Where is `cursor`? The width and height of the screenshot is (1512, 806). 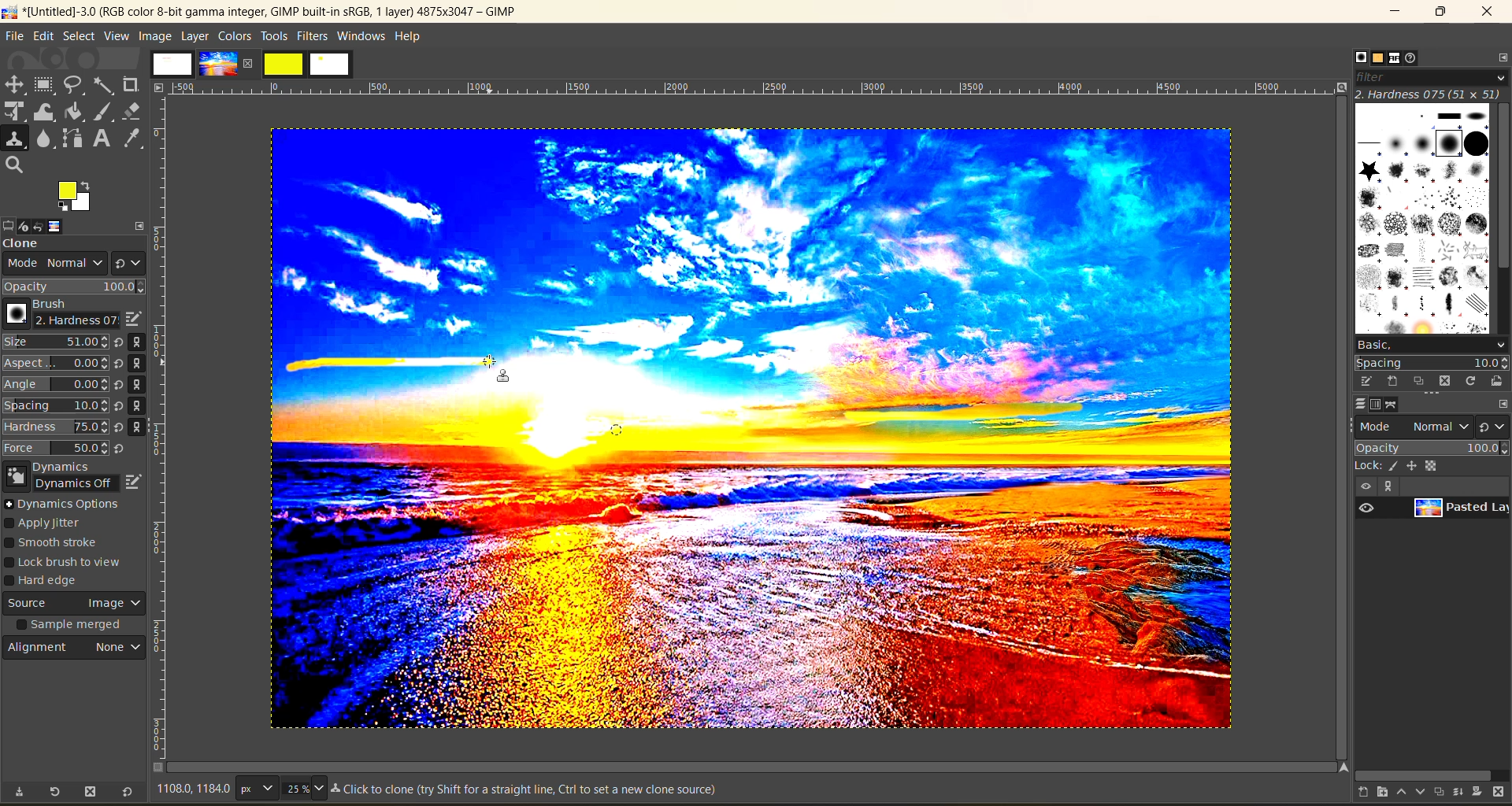
cursor is located at coordinates (501, 381).